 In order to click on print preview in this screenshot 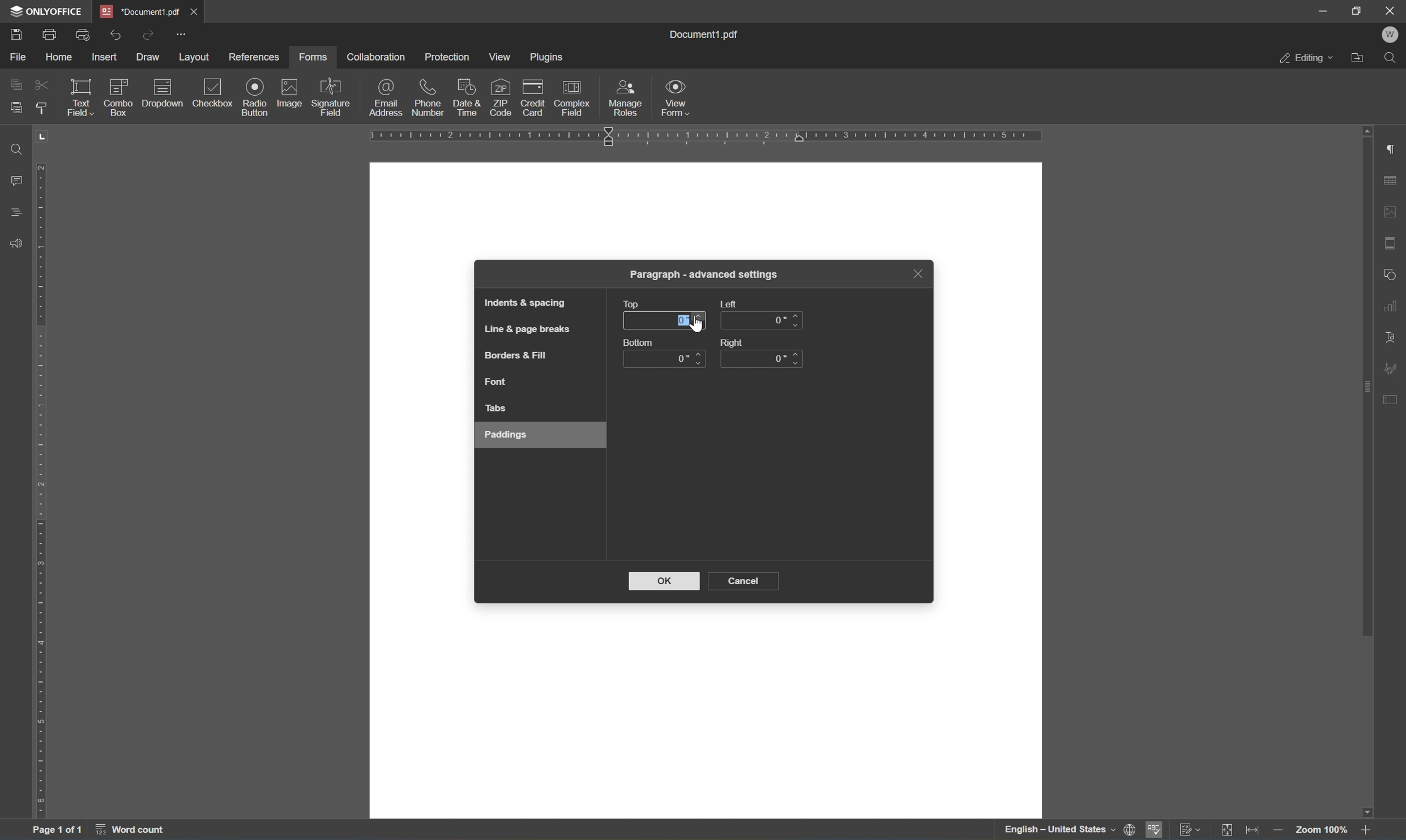, I will do `click(84, 33)`.